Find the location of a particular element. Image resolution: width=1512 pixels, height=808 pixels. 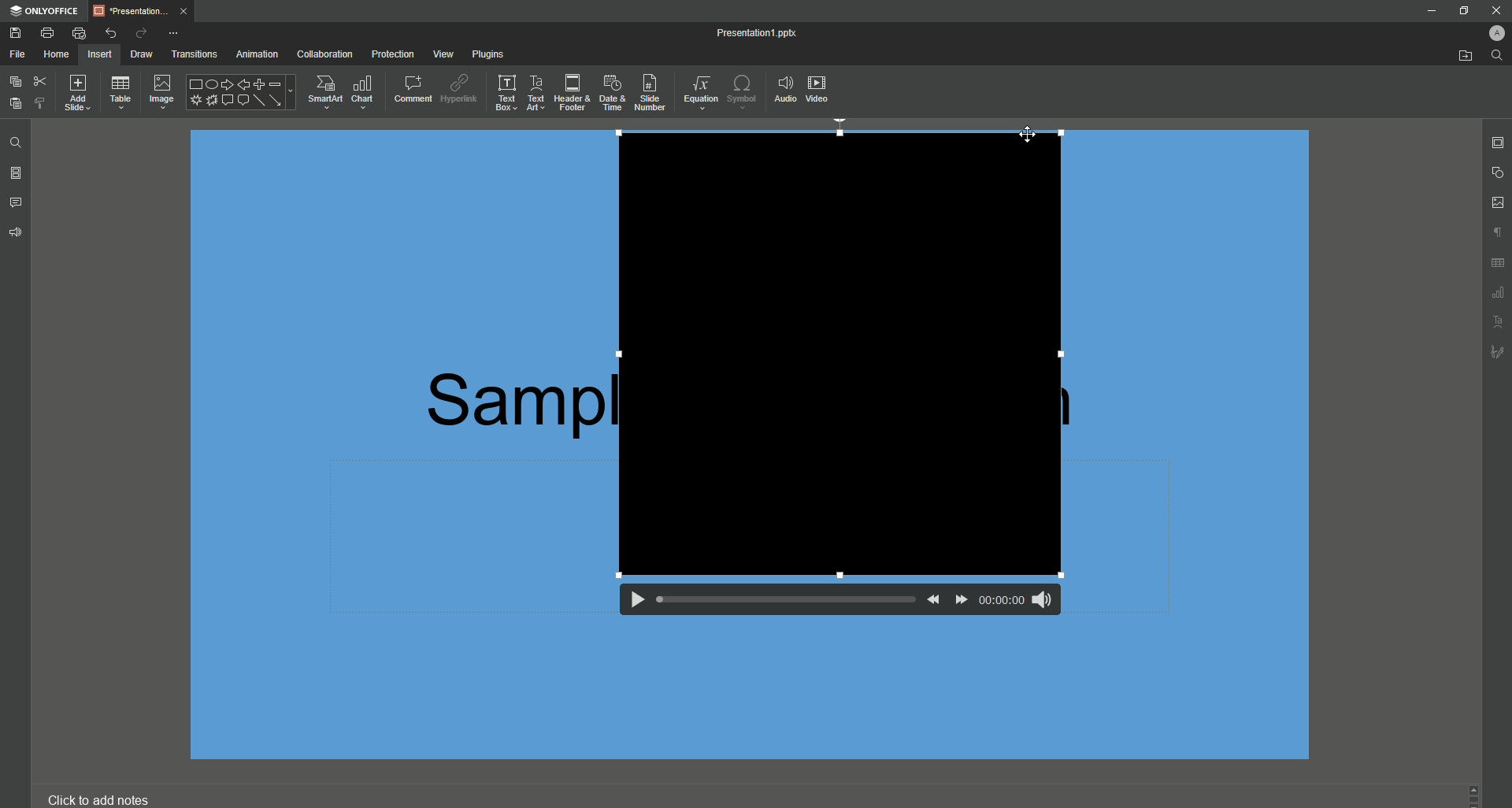

Image Settings is located at coordinates (1498, 203).